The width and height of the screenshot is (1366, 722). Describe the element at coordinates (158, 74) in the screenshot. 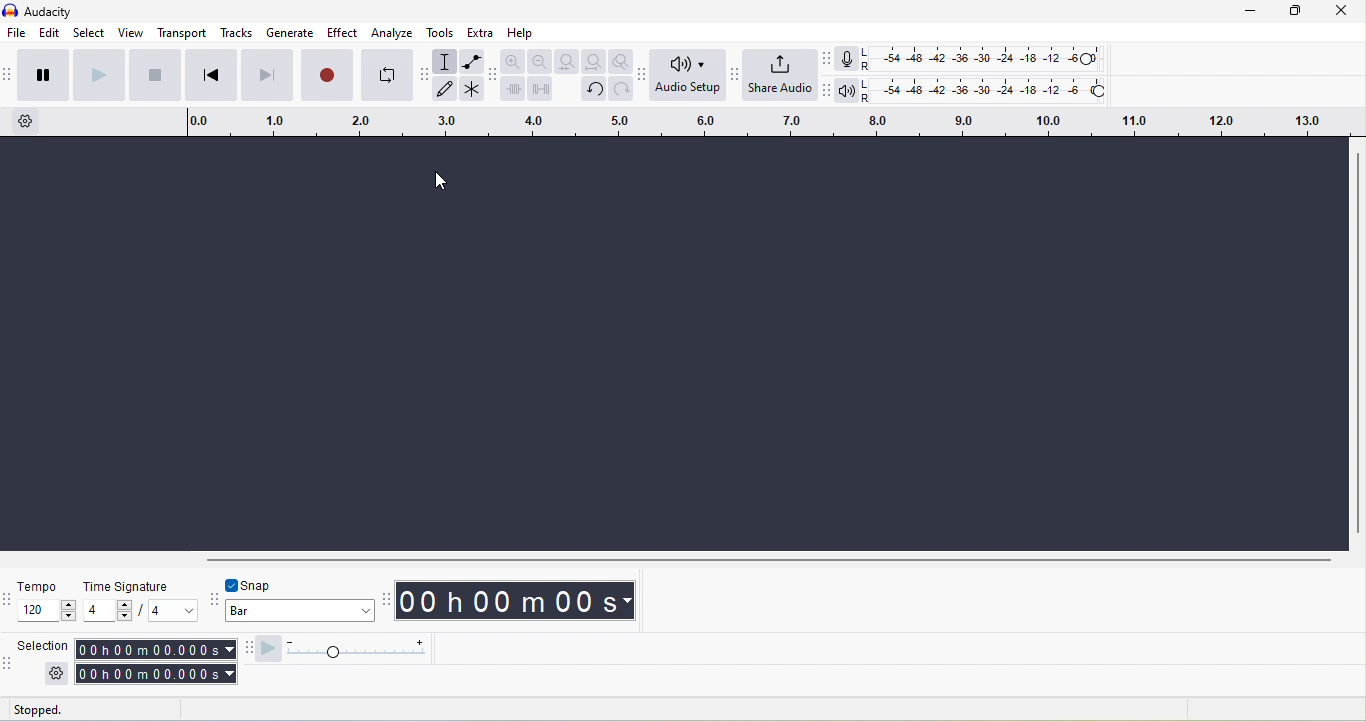

I see `stop` at that location.